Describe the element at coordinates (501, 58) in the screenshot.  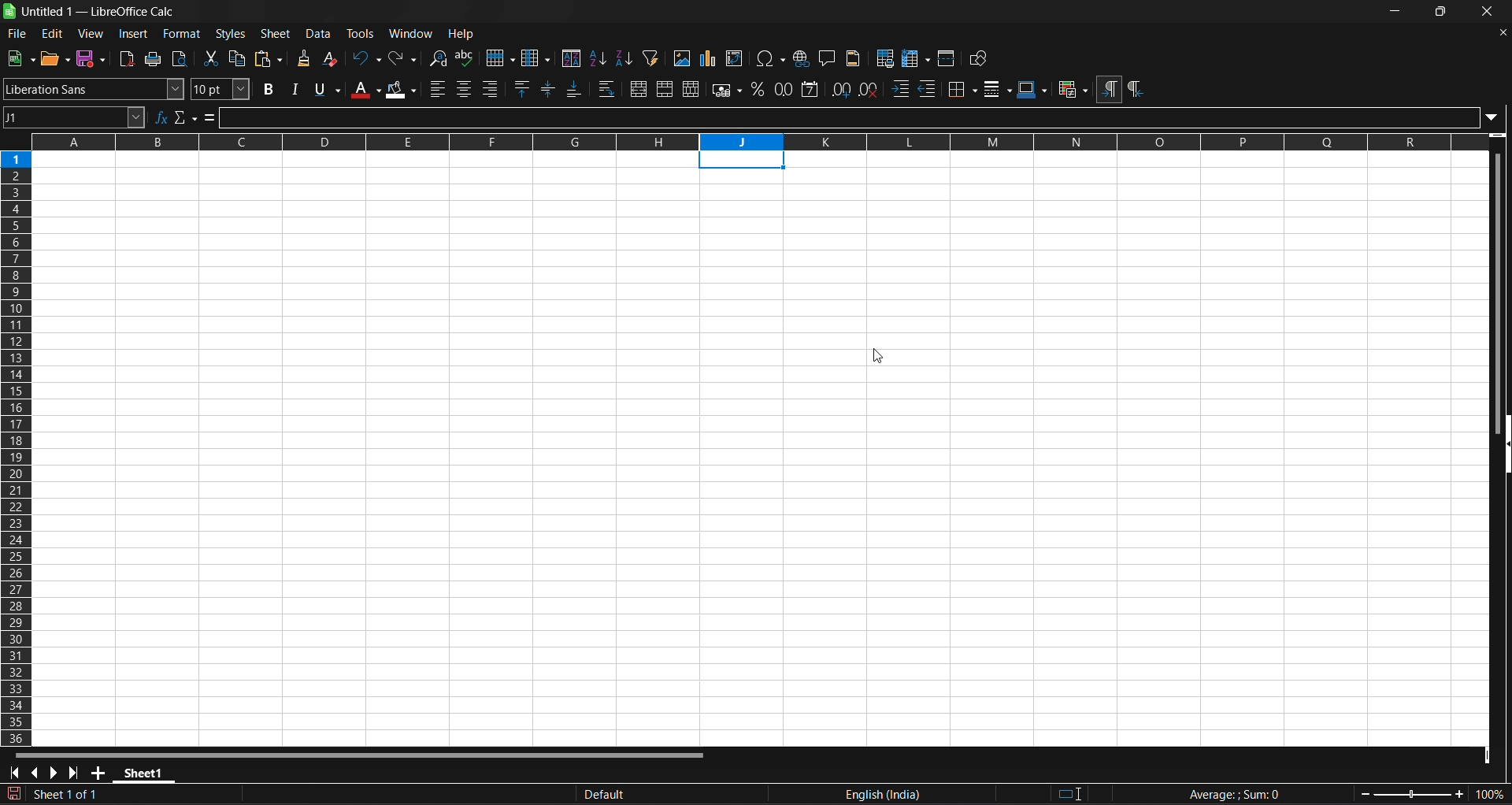
I see `row` at that location.